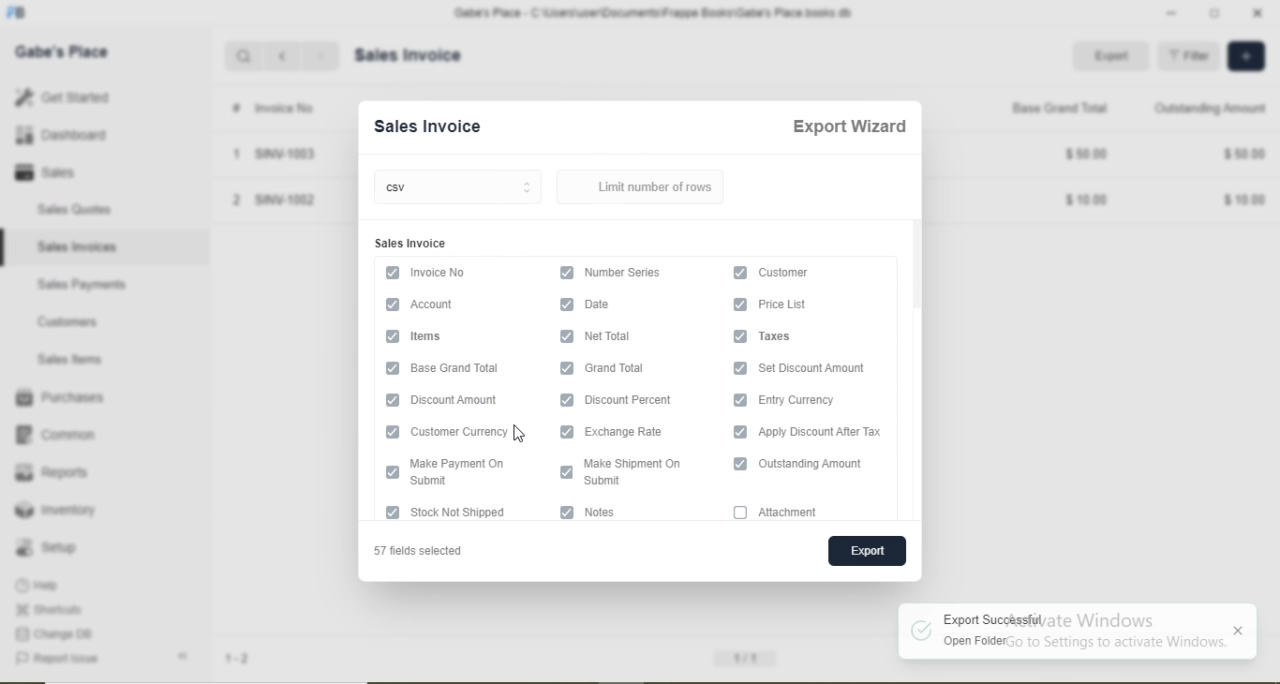  I want to click on Invoice No, so click(439, 272).